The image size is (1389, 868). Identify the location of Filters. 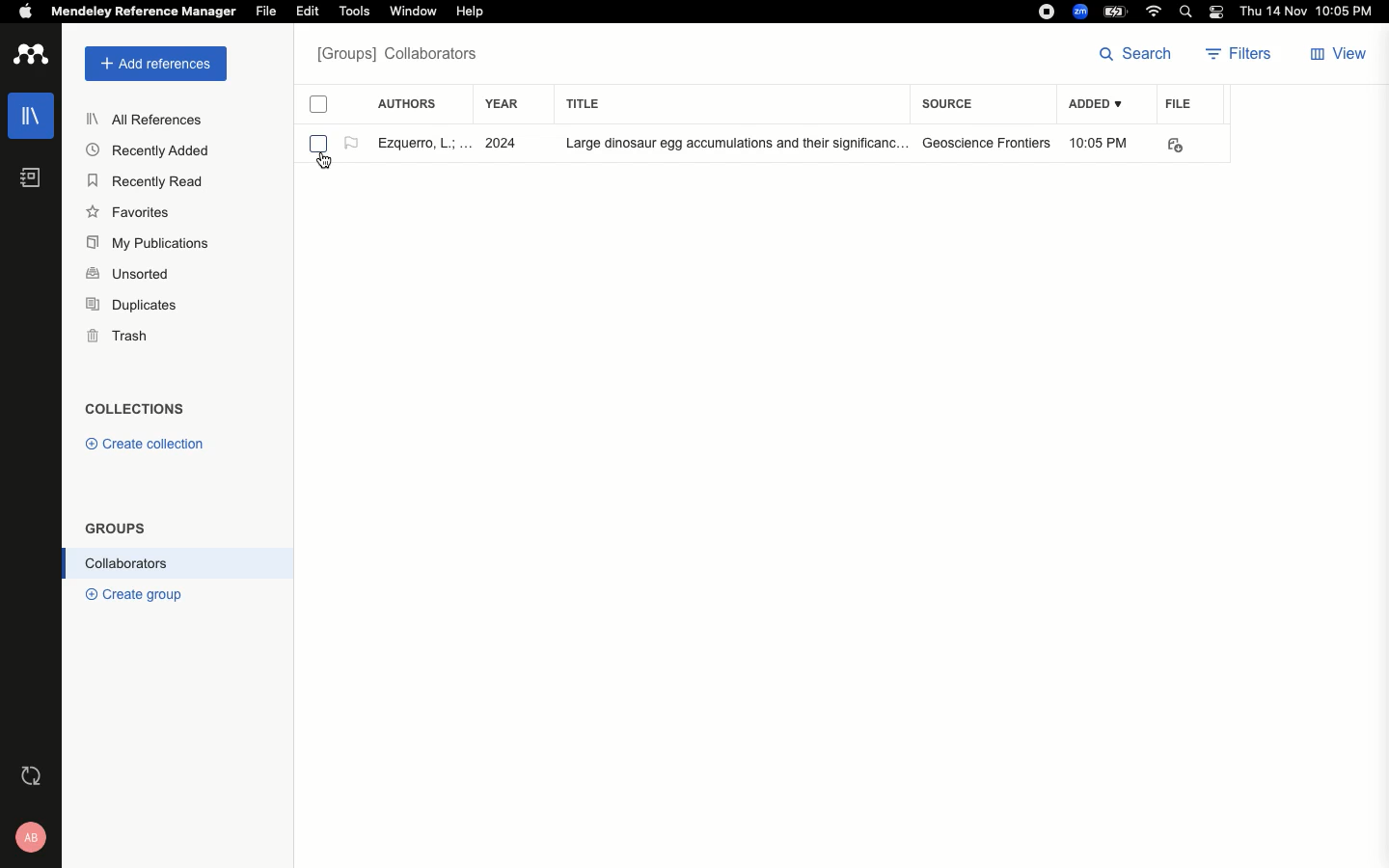
(1244, 55).